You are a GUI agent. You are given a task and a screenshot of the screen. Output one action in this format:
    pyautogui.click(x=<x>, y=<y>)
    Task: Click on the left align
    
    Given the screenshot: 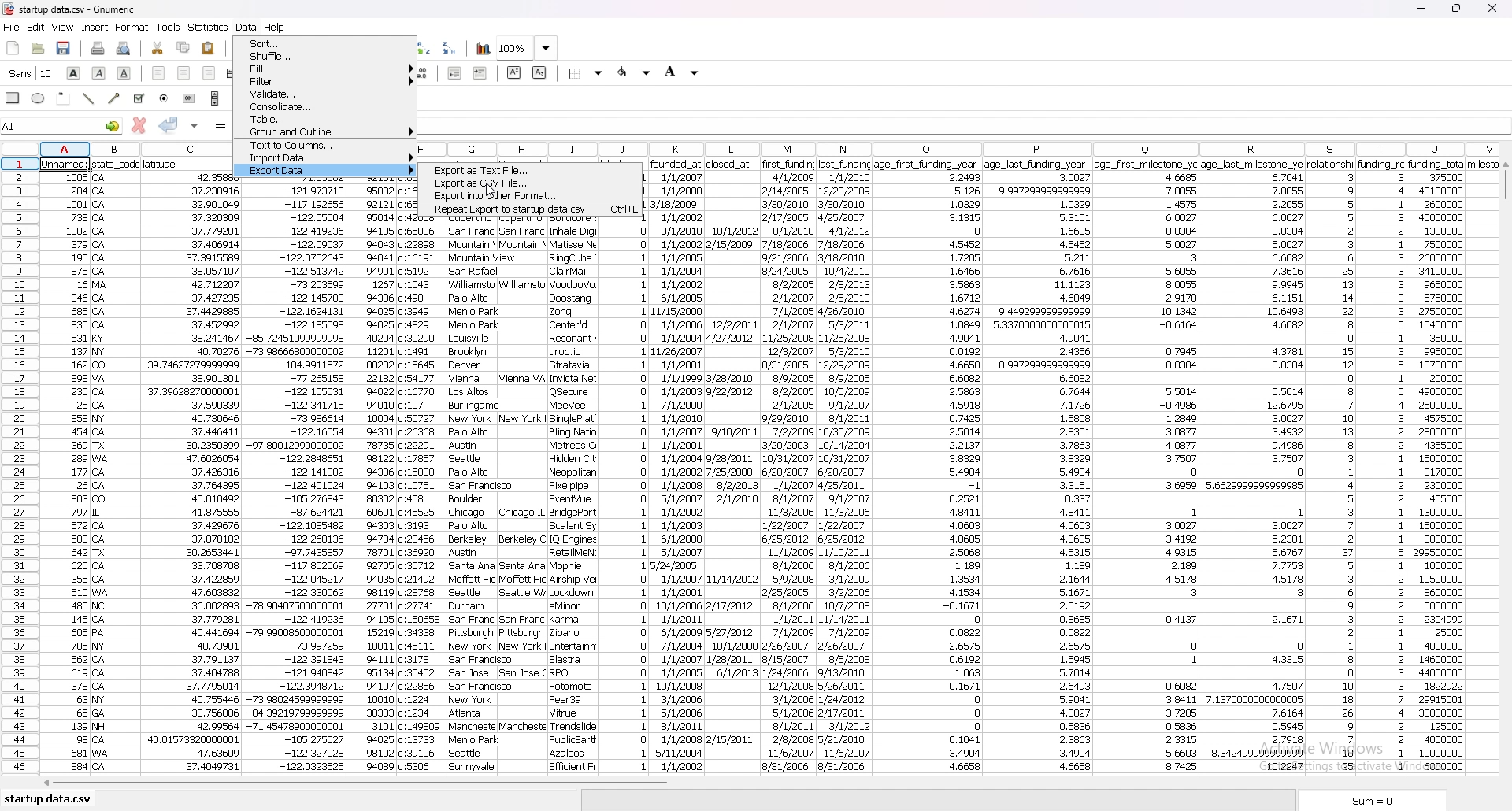 What is the action you would take?
    pyautogui.click(x=159, y=73)
    